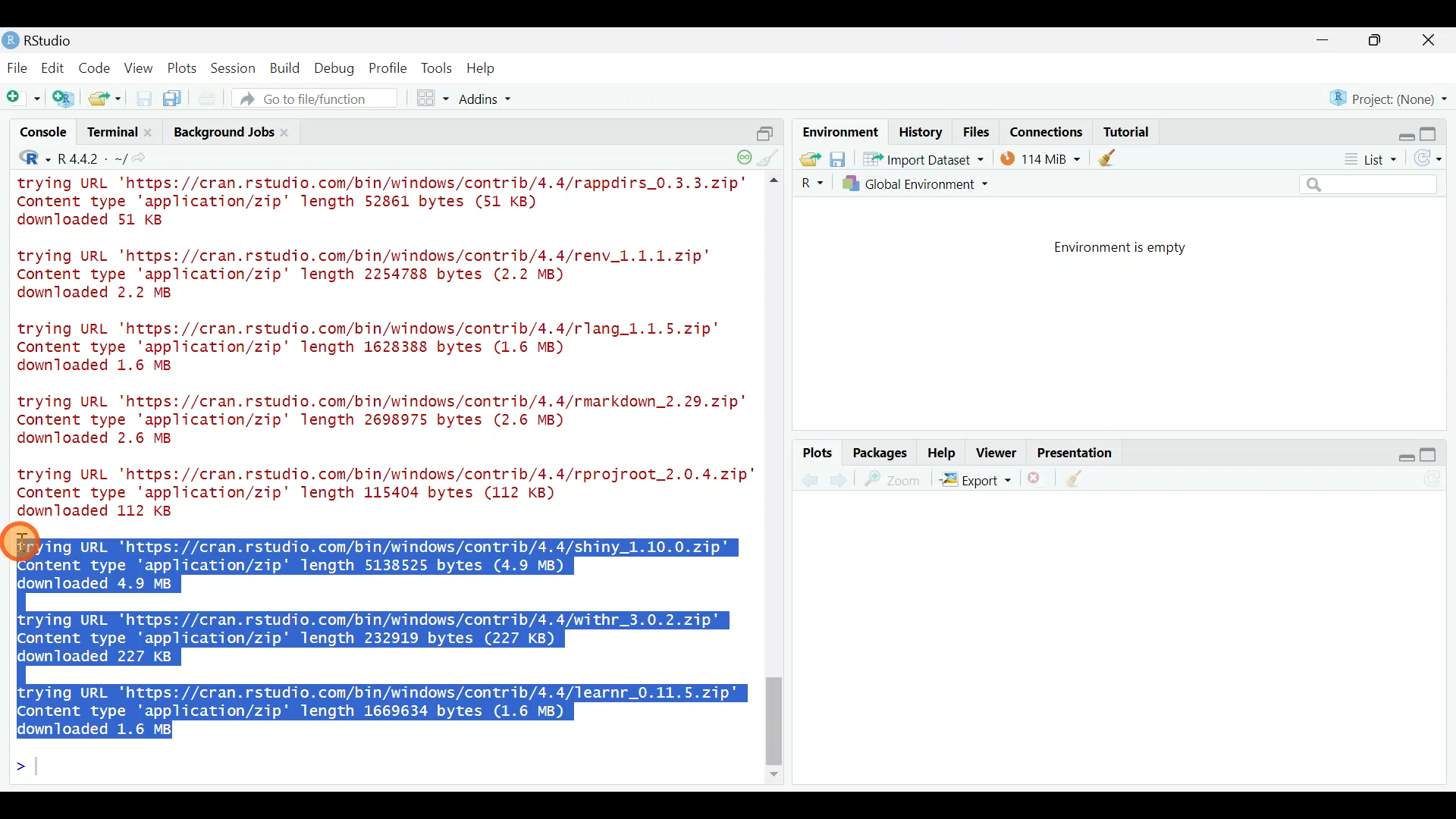  What do you see at coordinates (975, 482) in the screenshot?
I see `Export` at bounding box center [975, 482].